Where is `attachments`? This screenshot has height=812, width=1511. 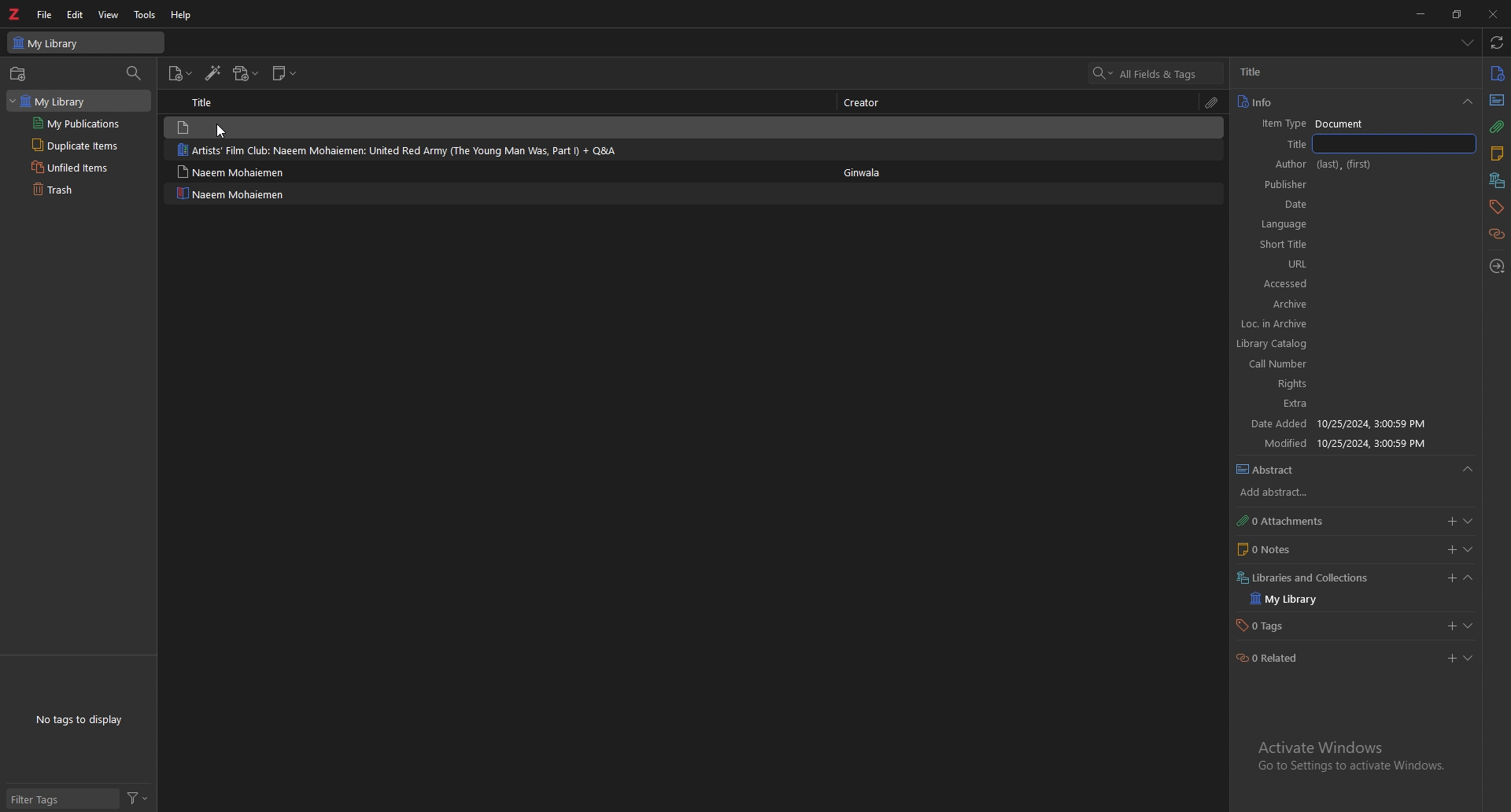 attachments is located at coordinates (1497, 127).